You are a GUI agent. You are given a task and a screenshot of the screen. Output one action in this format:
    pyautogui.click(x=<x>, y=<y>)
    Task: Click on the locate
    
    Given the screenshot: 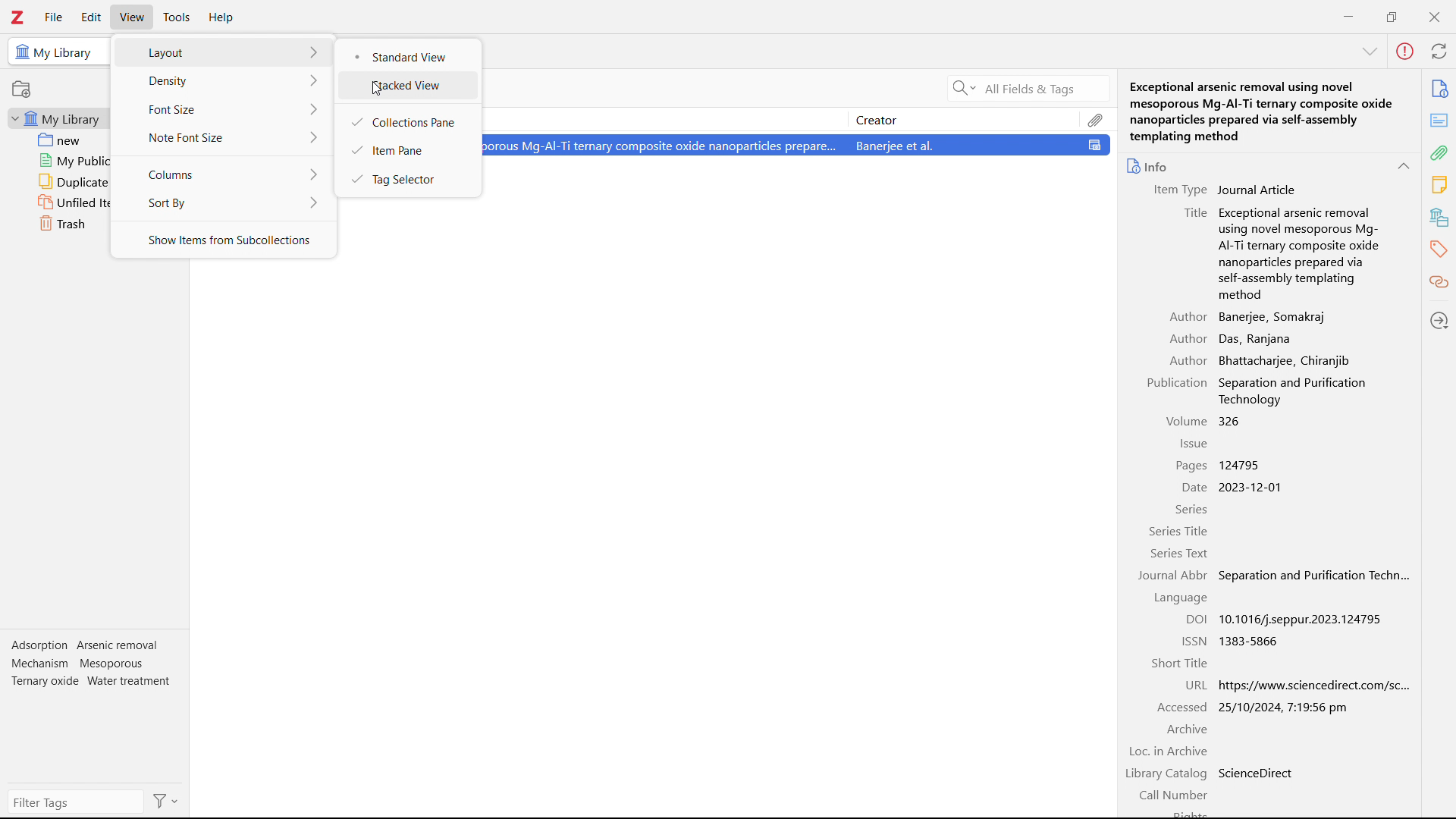 What is the action you would take?
    pyautogui.click(x=1440, y=320)
    